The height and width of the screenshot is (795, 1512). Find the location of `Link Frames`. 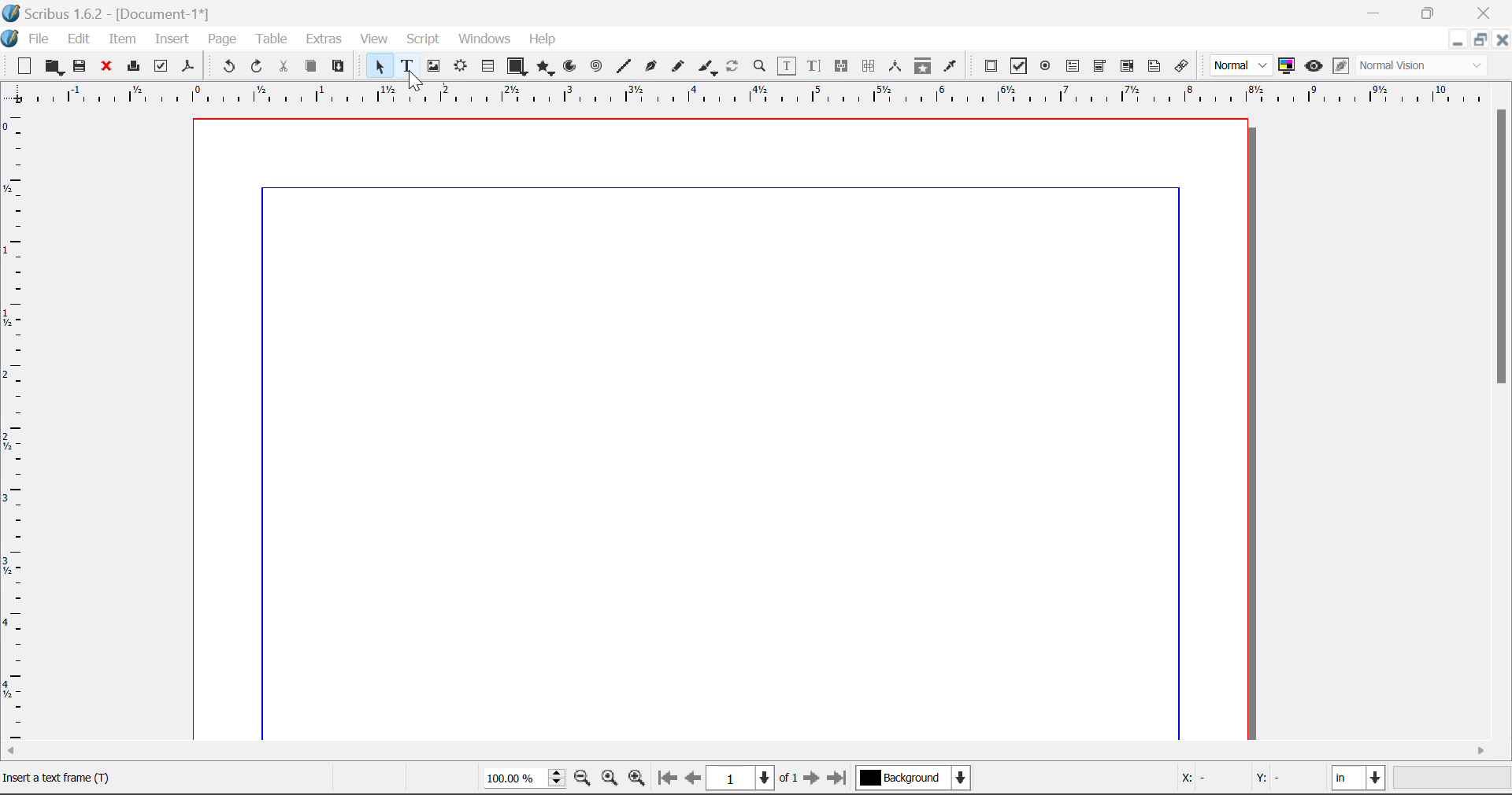

Link Frames is located at coordinates (842, 66).